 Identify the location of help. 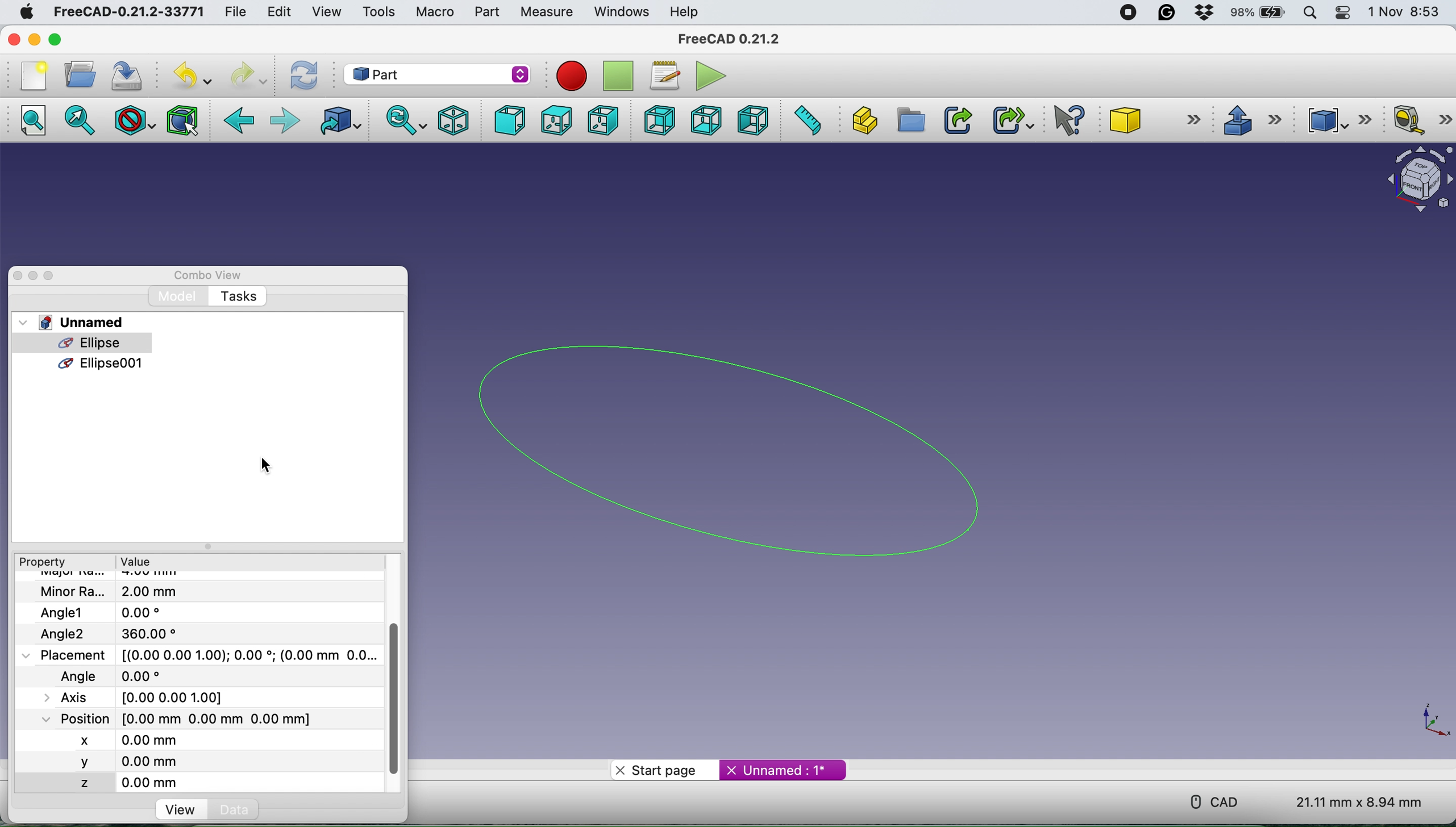
(688, 11).